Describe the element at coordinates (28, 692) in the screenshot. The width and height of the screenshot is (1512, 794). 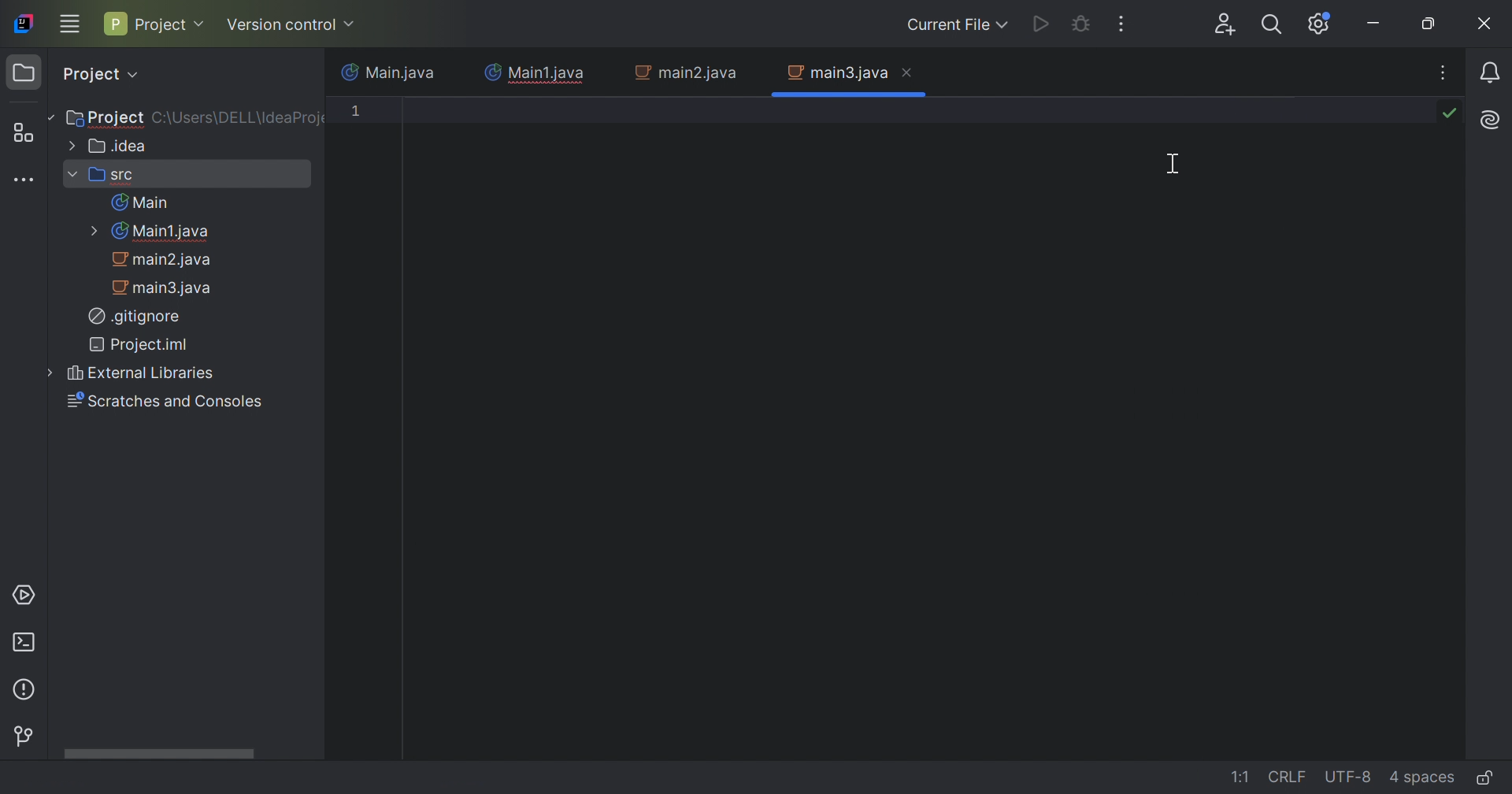
I see `Problems` at that location.